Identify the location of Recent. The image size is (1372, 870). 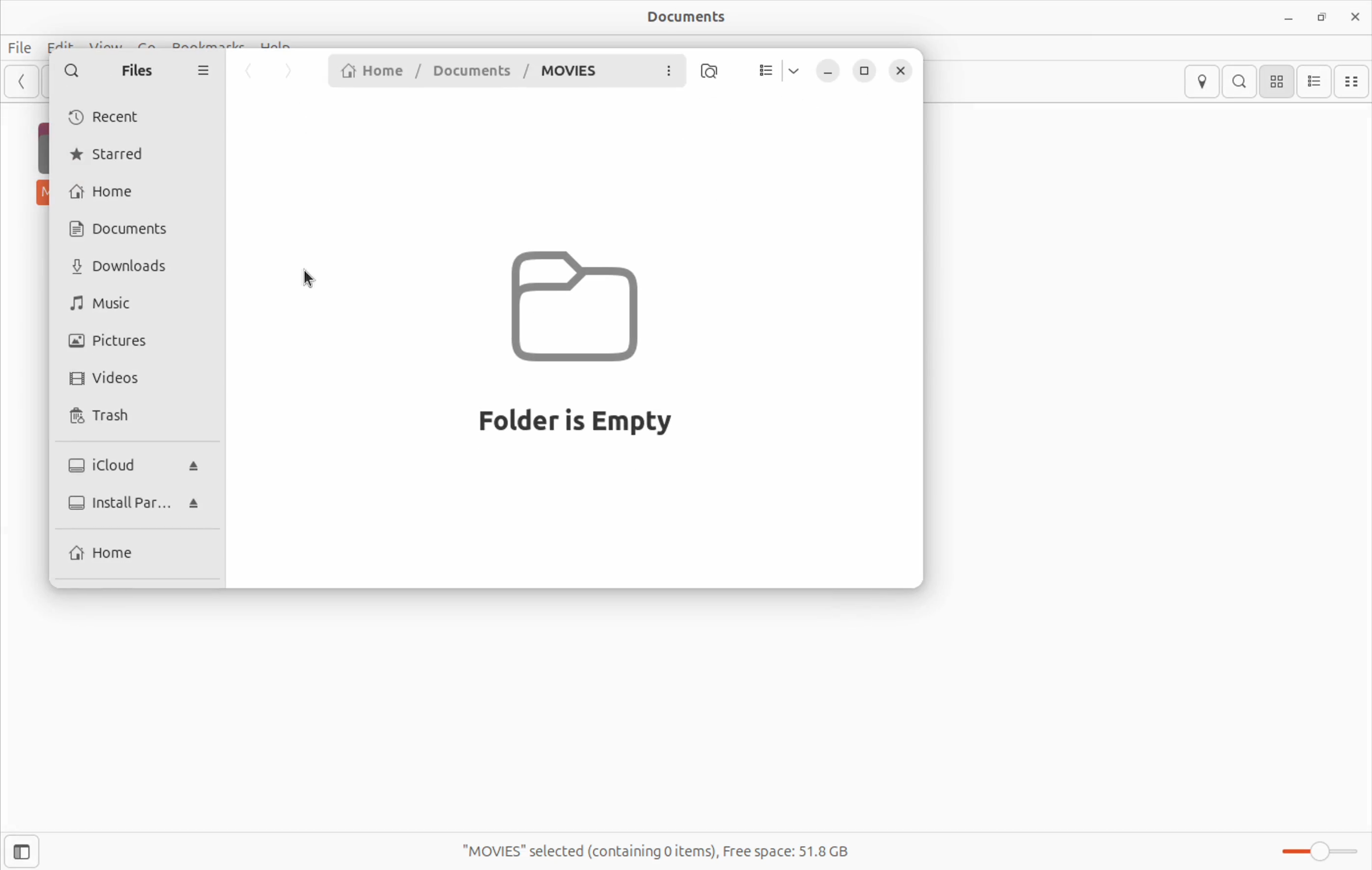
(116, 117).